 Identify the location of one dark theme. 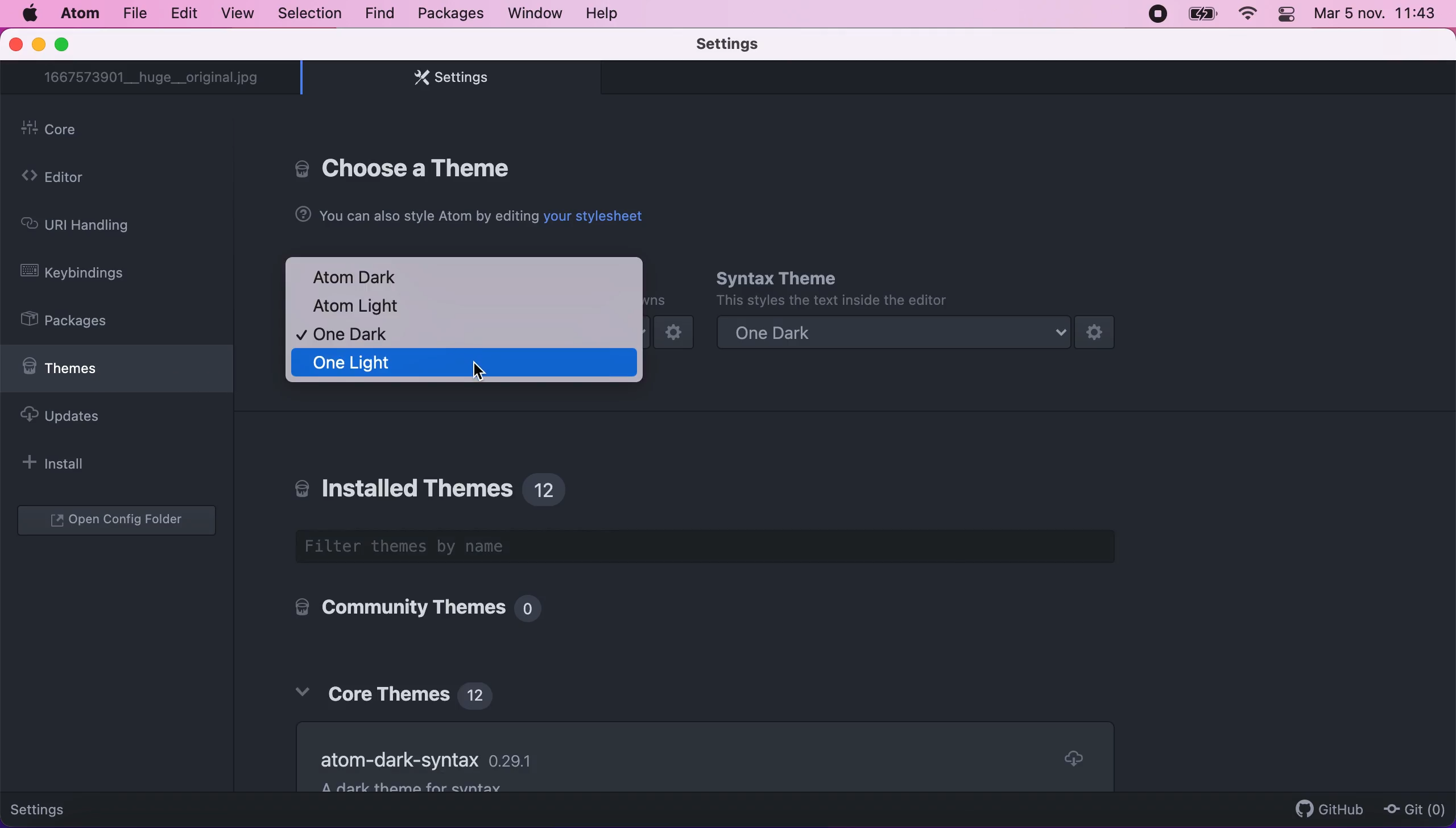
(913, 334).